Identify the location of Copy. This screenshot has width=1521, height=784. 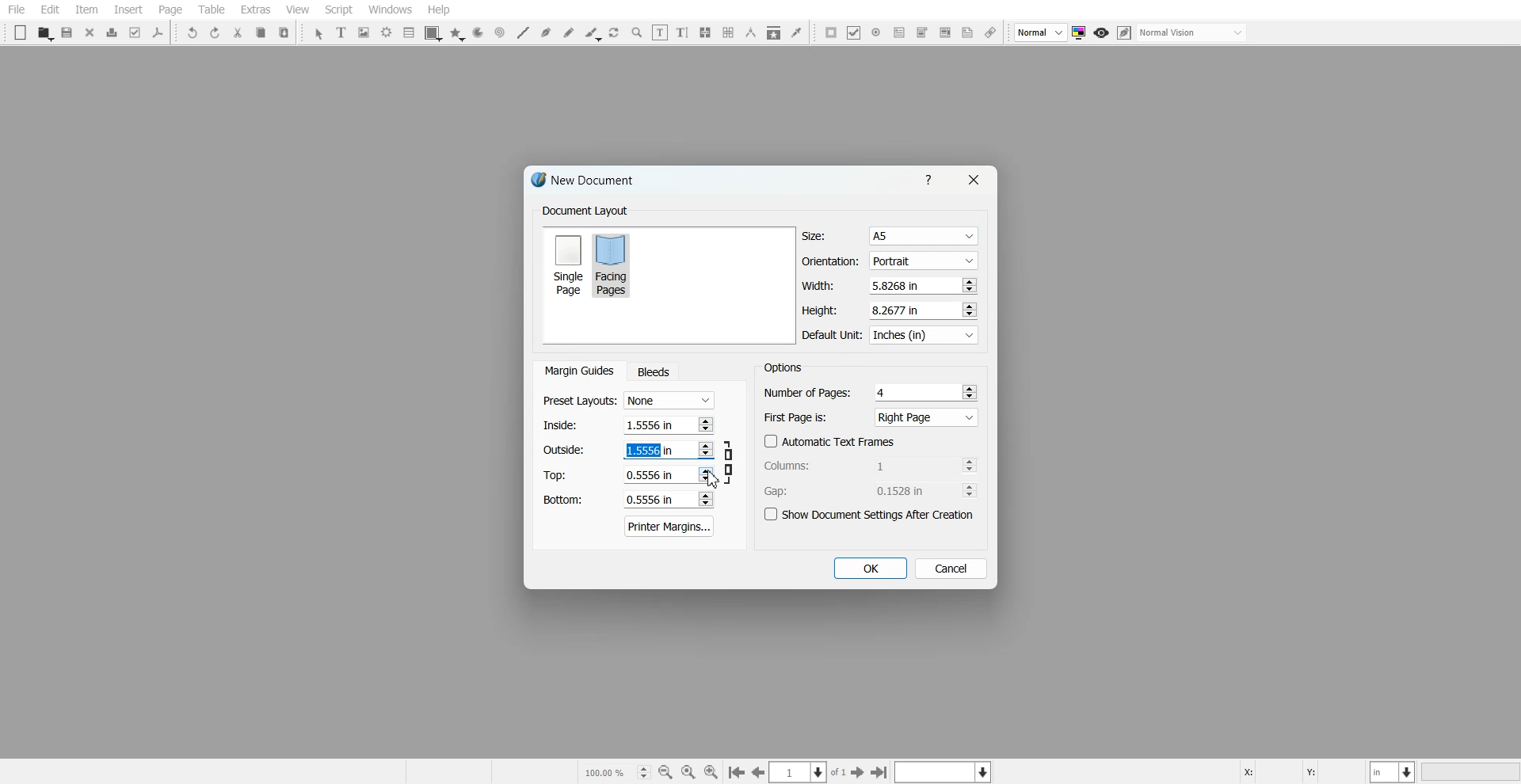
(260, 32).